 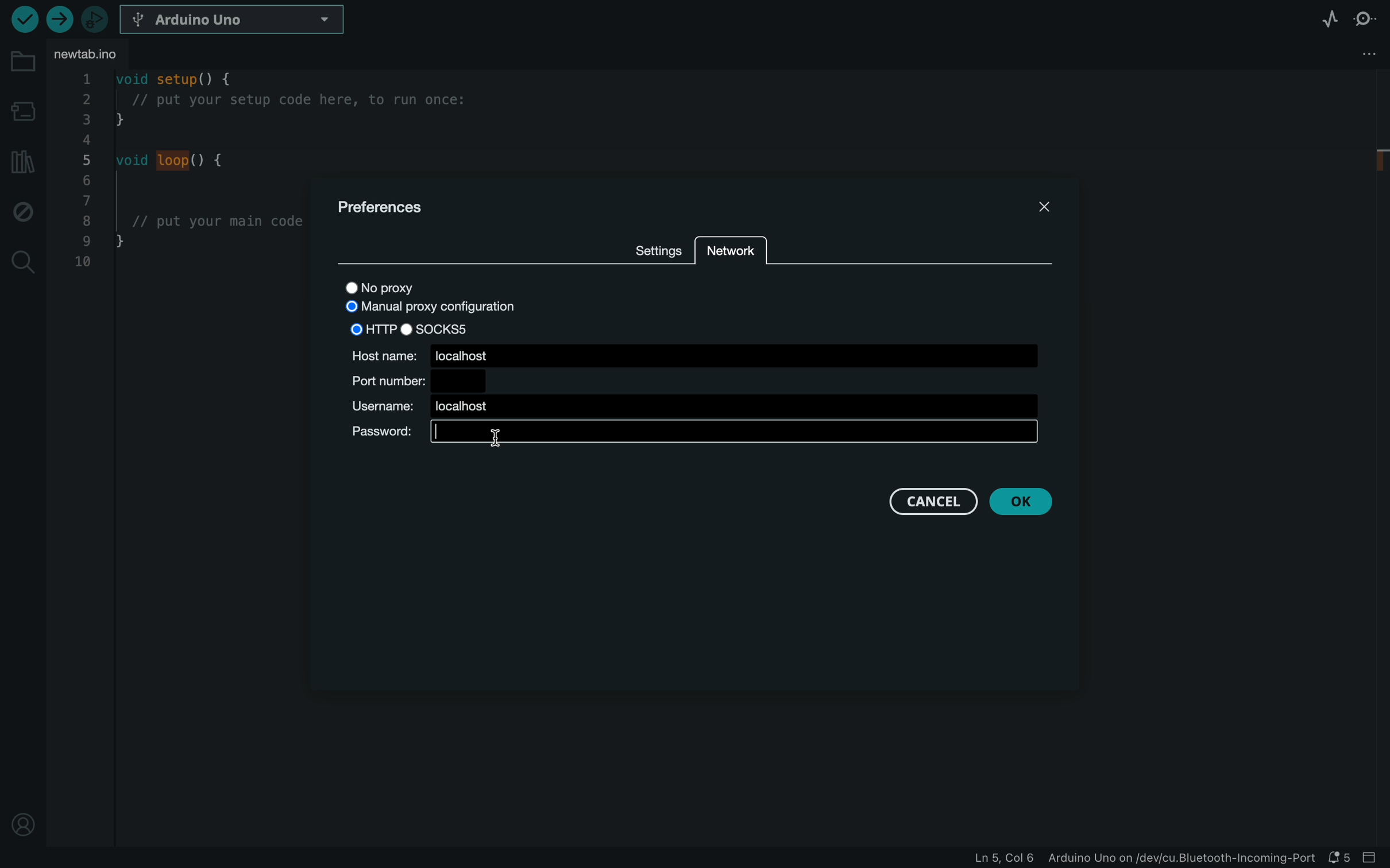 What do you see at coordinates (1342, 858) in the screenshot?
I see `notification` at bounding box center [1342, 858].